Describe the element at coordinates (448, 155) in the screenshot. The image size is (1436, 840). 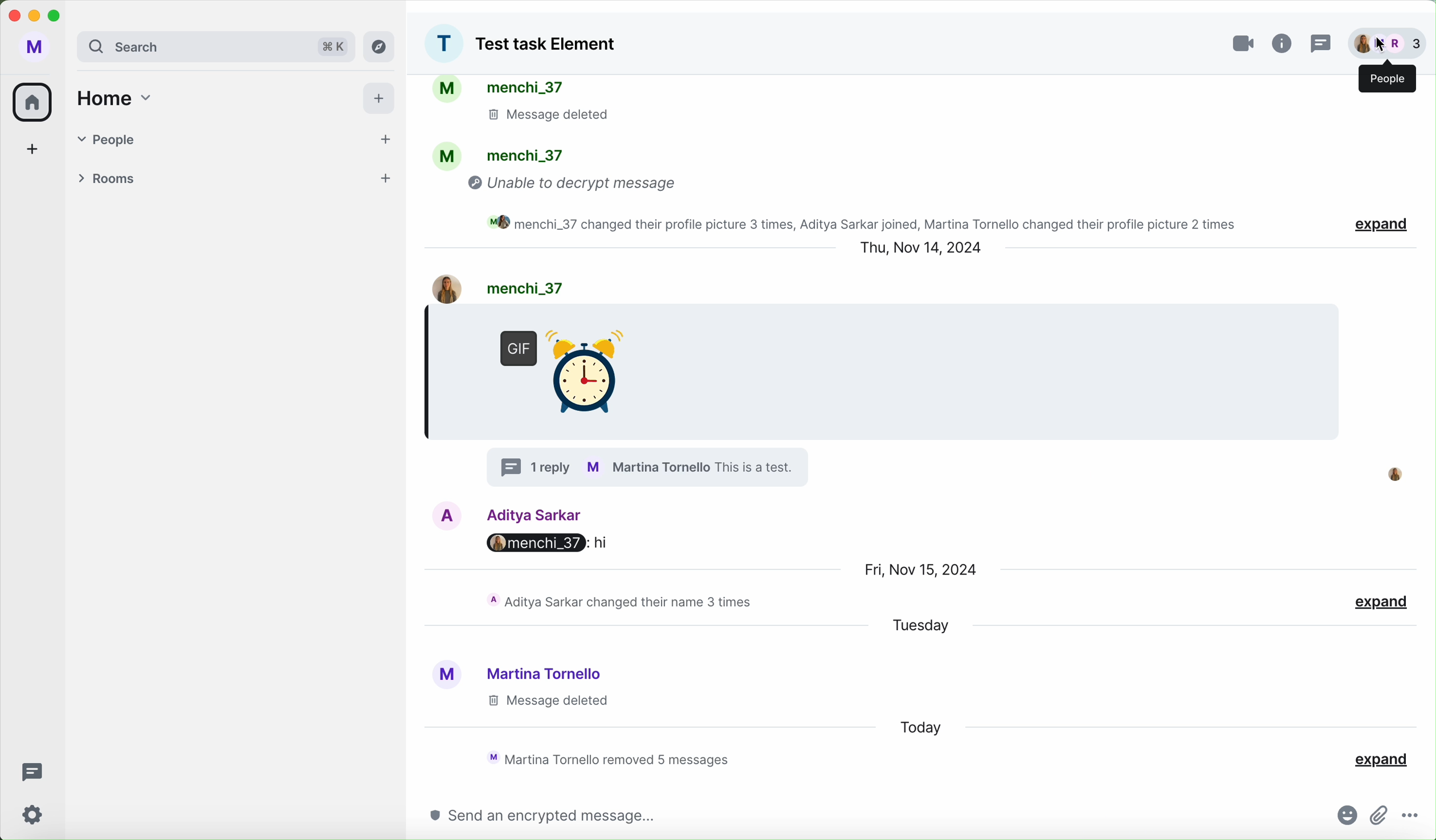
I see `profile` at that location.